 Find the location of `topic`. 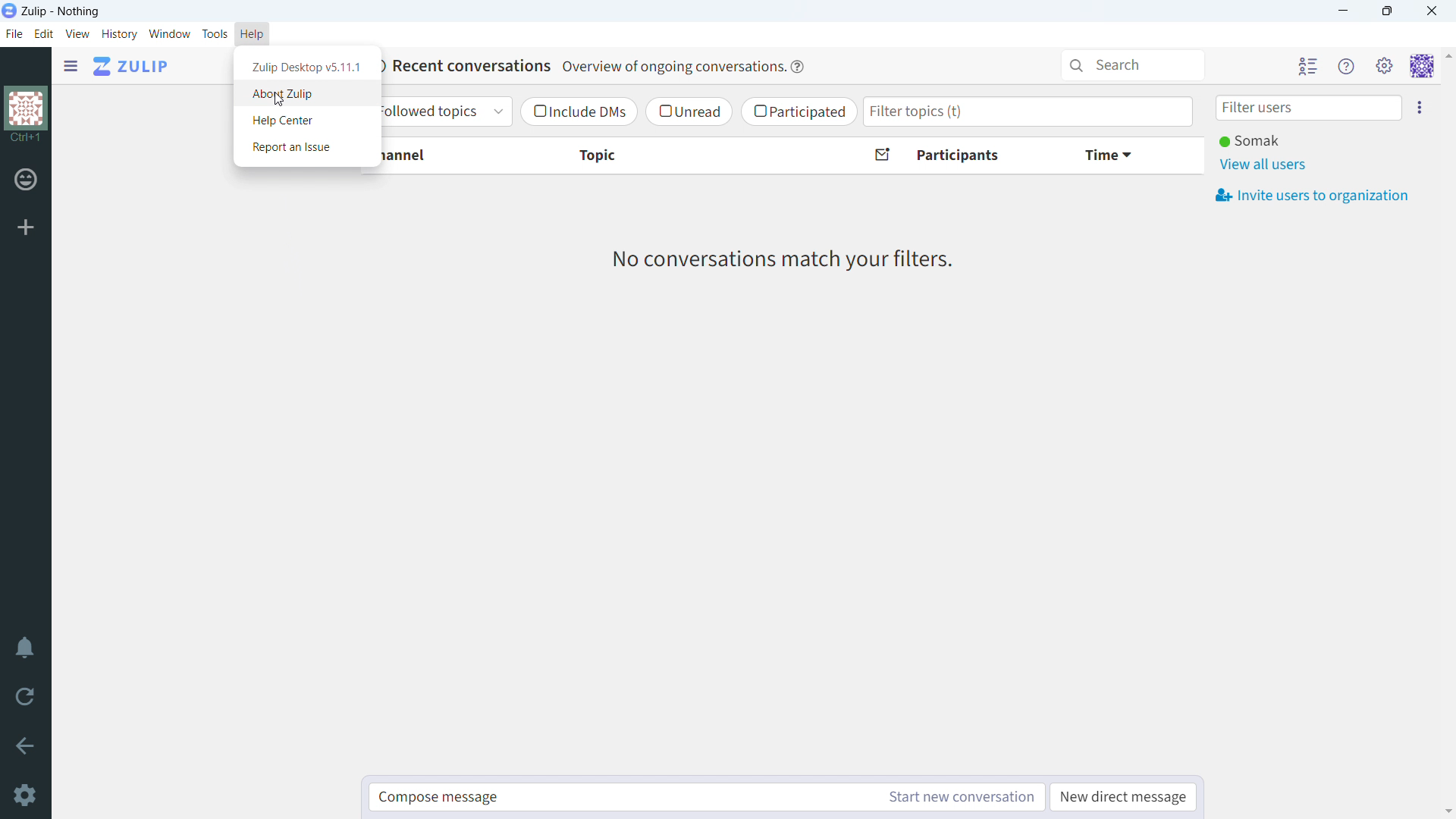

topic is located at coordinates (689, 156).